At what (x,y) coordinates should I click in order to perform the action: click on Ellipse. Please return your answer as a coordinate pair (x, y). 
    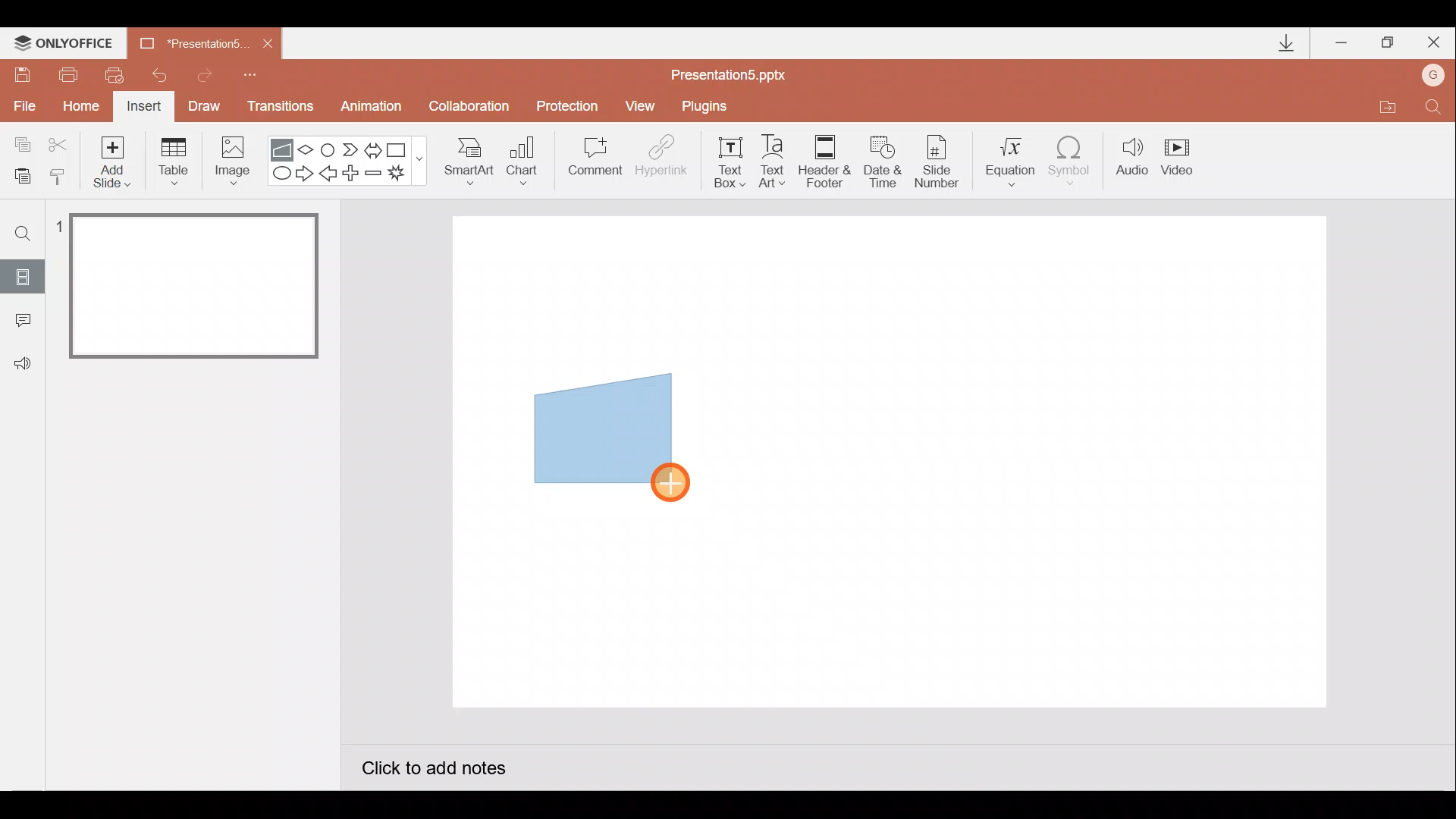
    Looking at the image, I should click on (278, 174).